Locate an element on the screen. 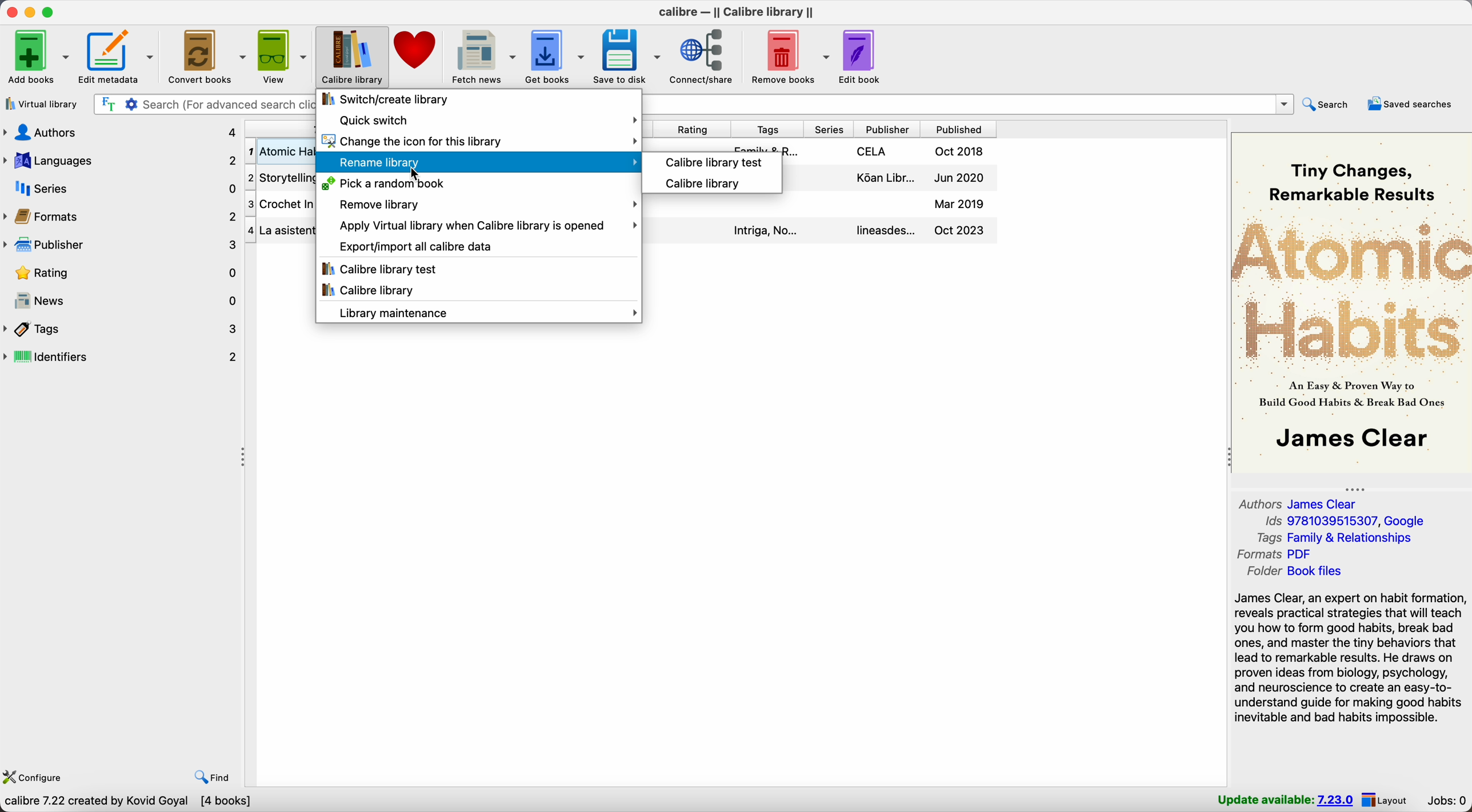 This screenshot has height=812, width=1472. export/import all calibre data is located at coordinates (414, 245).